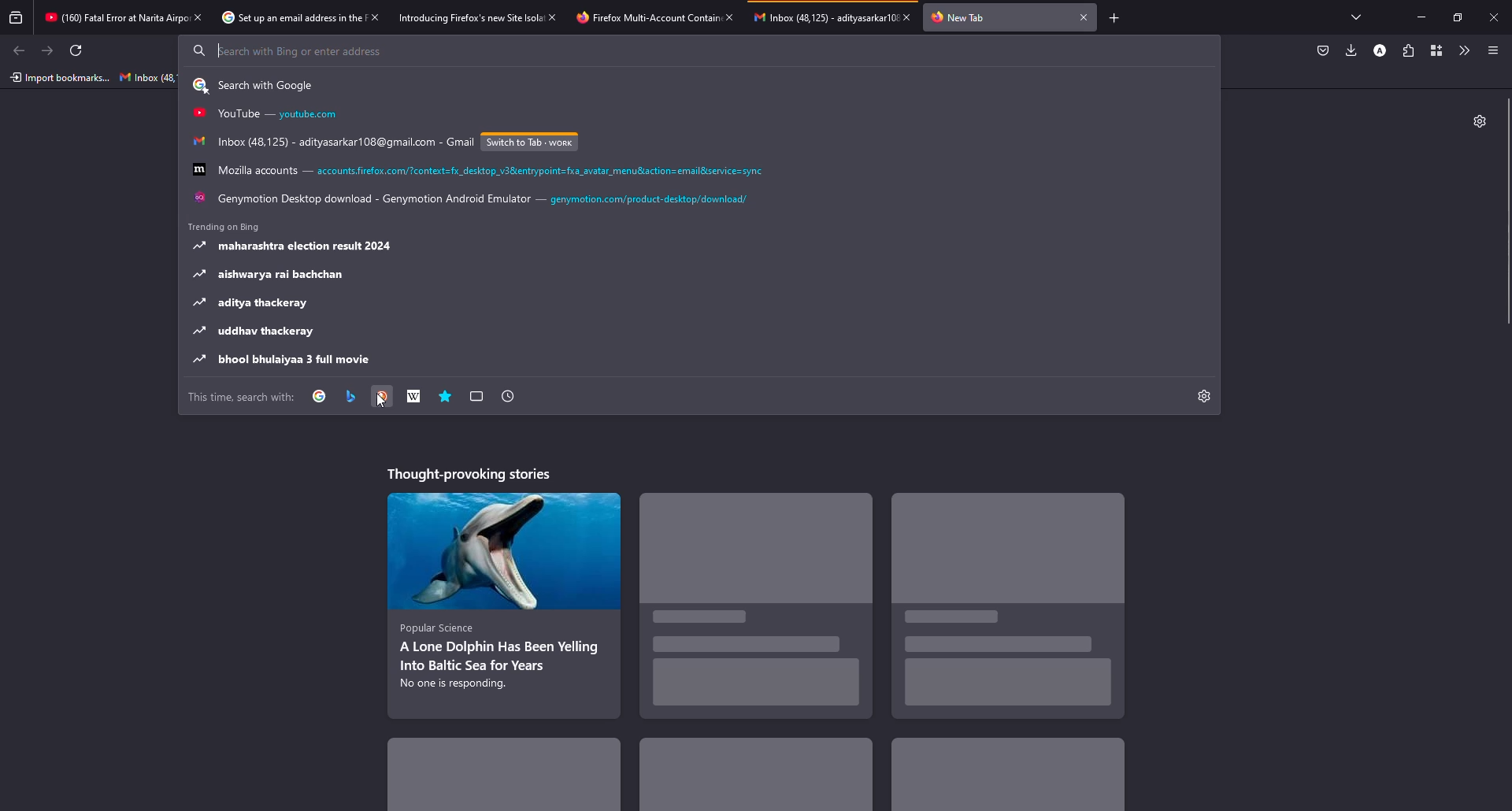 Image resolution: width=1512 pixels, height=811 pixels. What do you see at coordinates (502, 604) in the screenshot?
I see `stories` at bounding box center [502, 604].